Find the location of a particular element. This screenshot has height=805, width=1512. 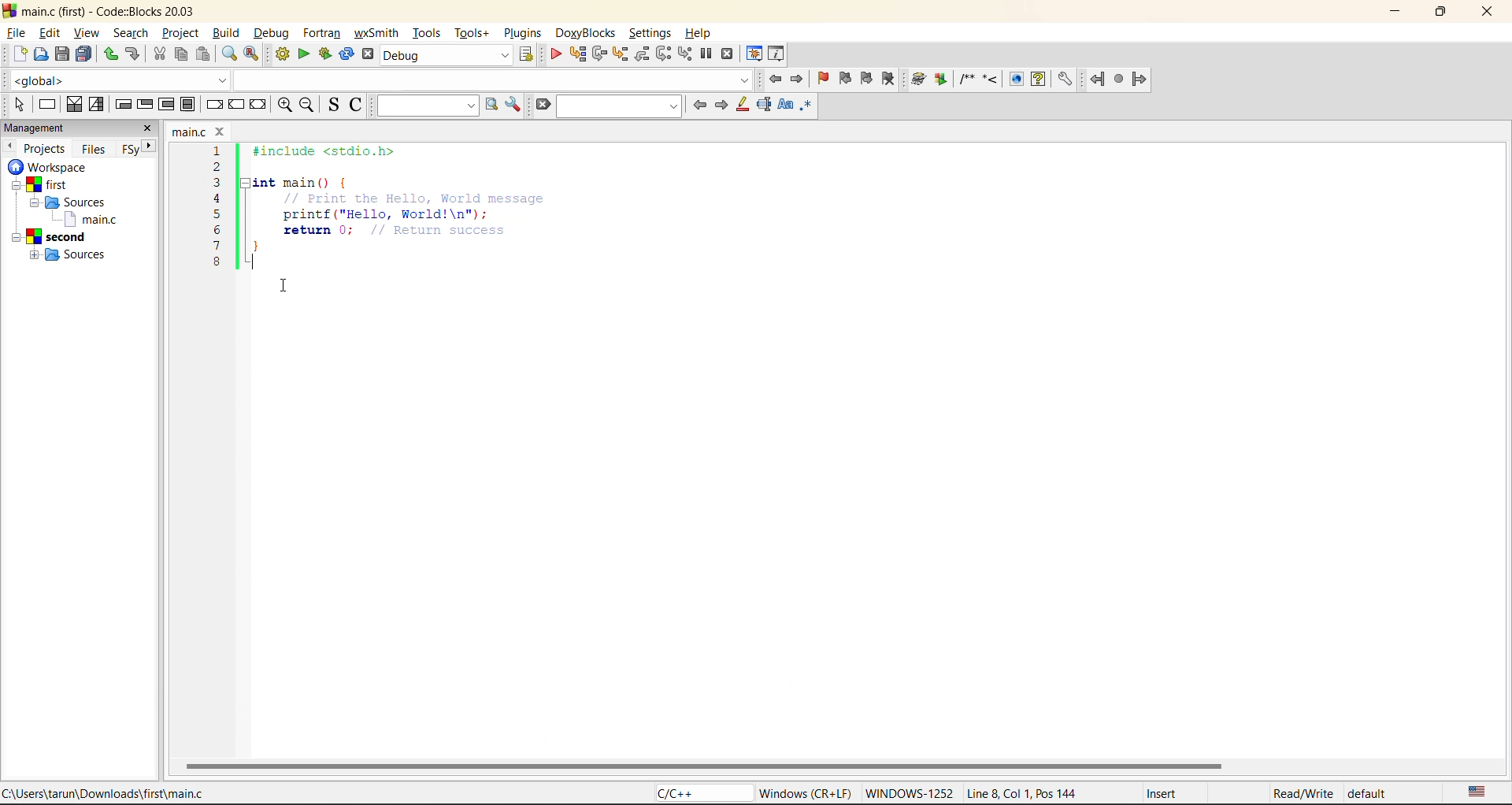

various info is located at coordinates (777, 54).